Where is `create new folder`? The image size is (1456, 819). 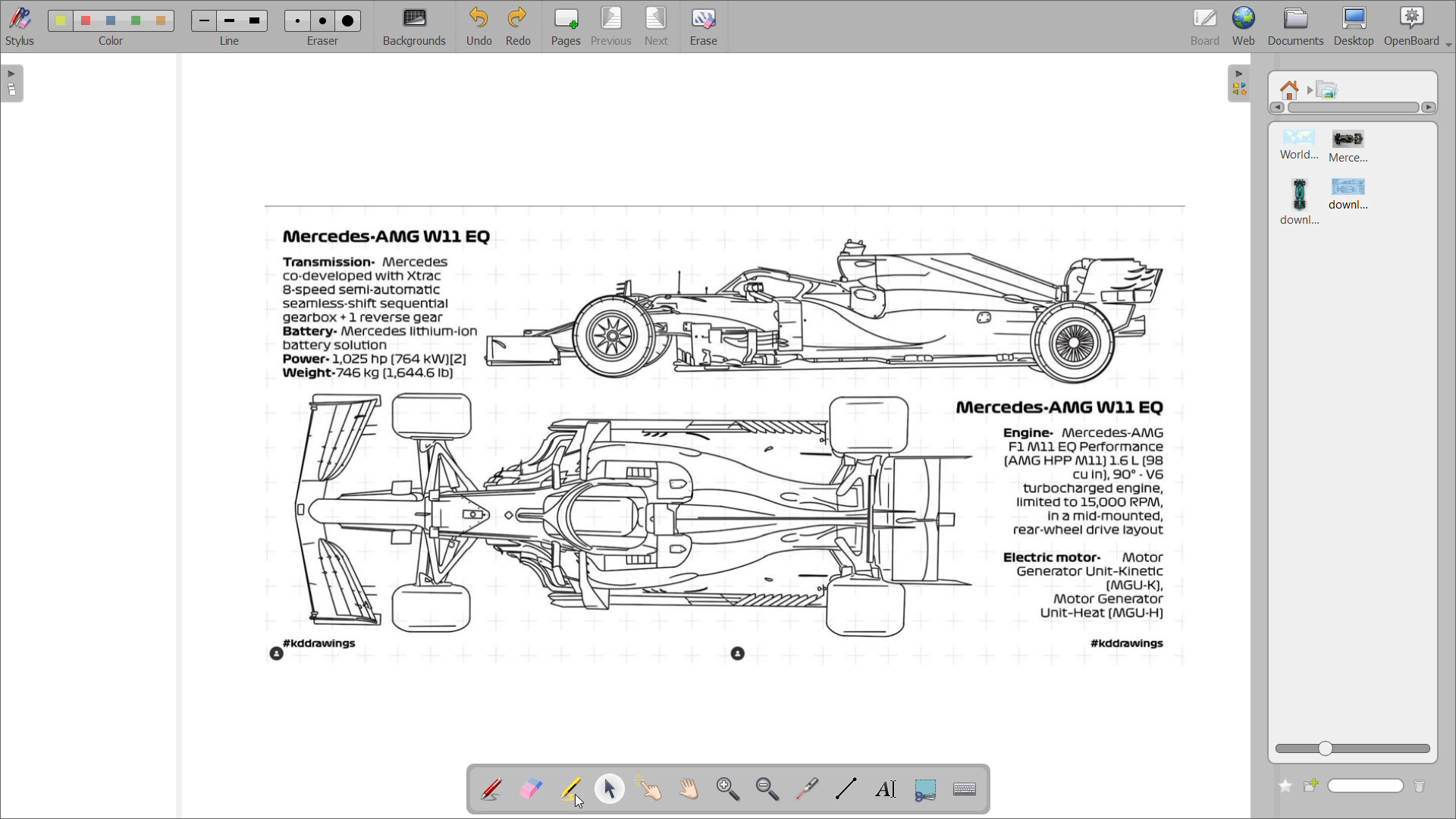 create new folder is located at coordinates (1313, 786).